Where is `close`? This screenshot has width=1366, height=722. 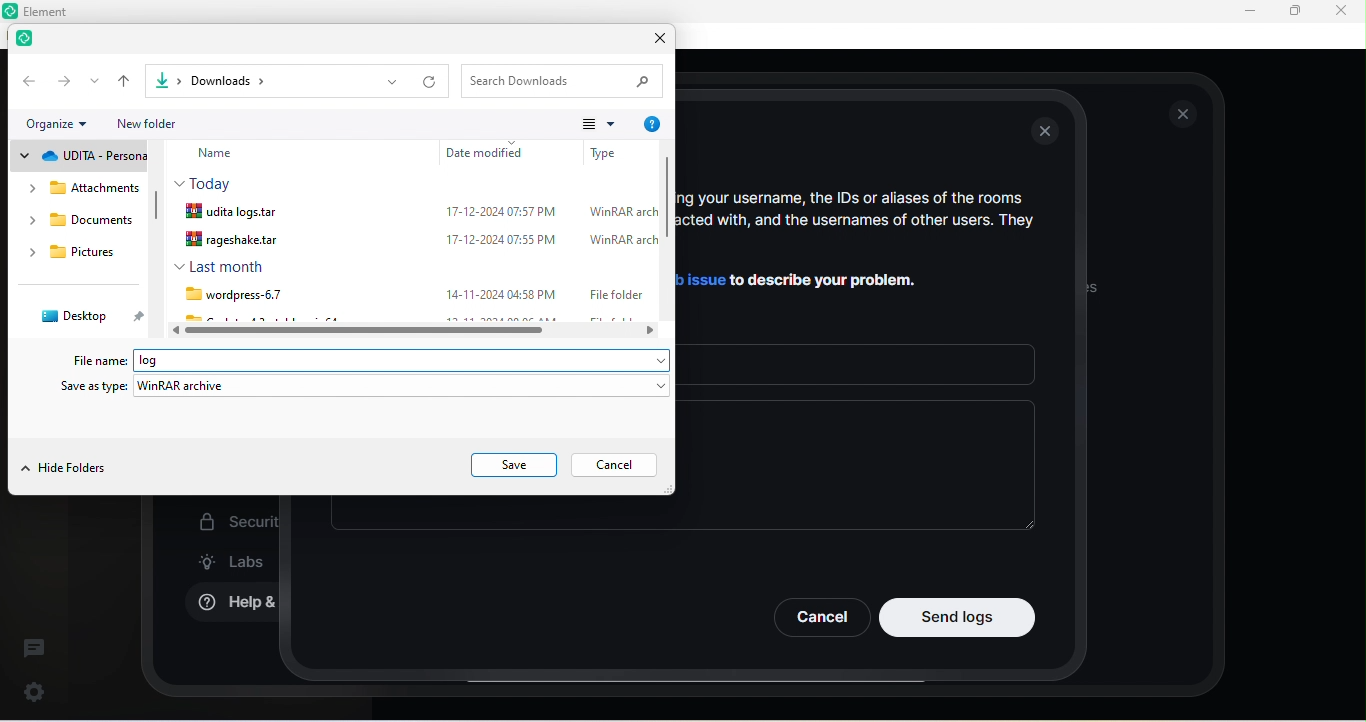
close is located at coordinates (1184, 114).